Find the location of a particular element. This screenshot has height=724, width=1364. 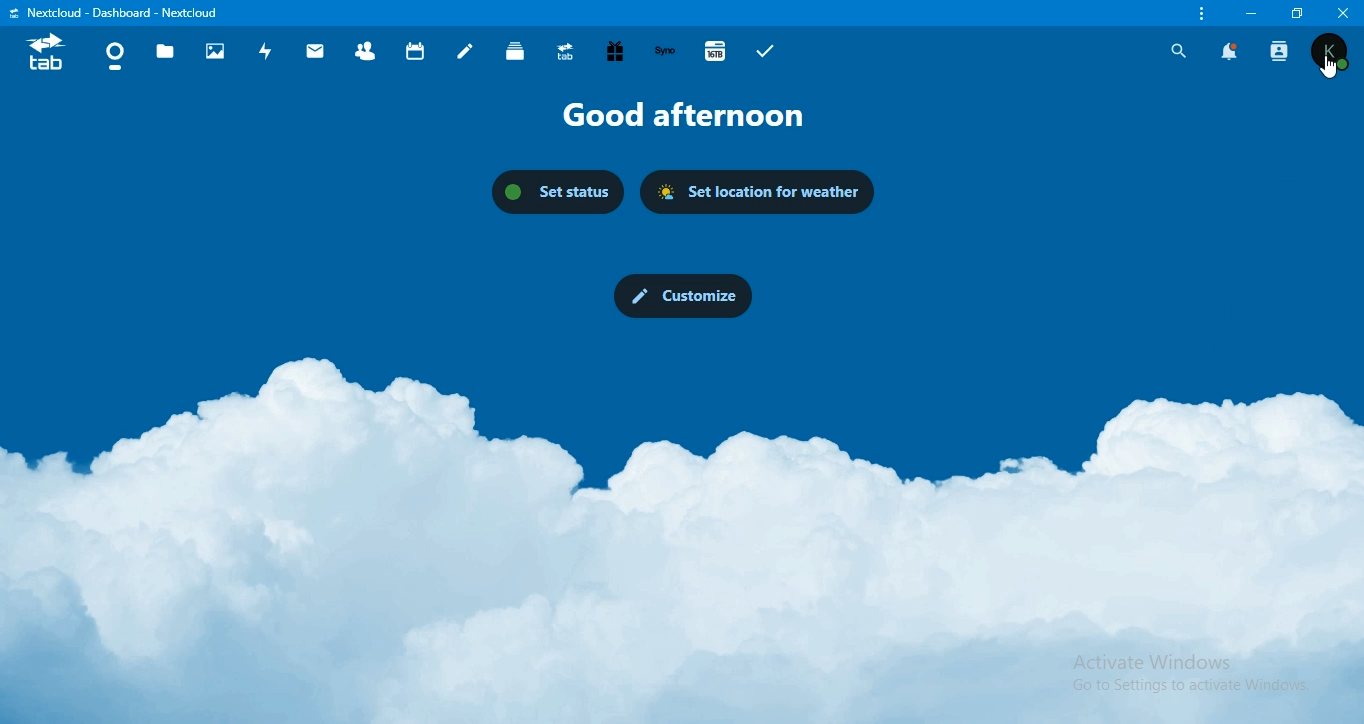

view profile is located at coordinates (1331, 52).